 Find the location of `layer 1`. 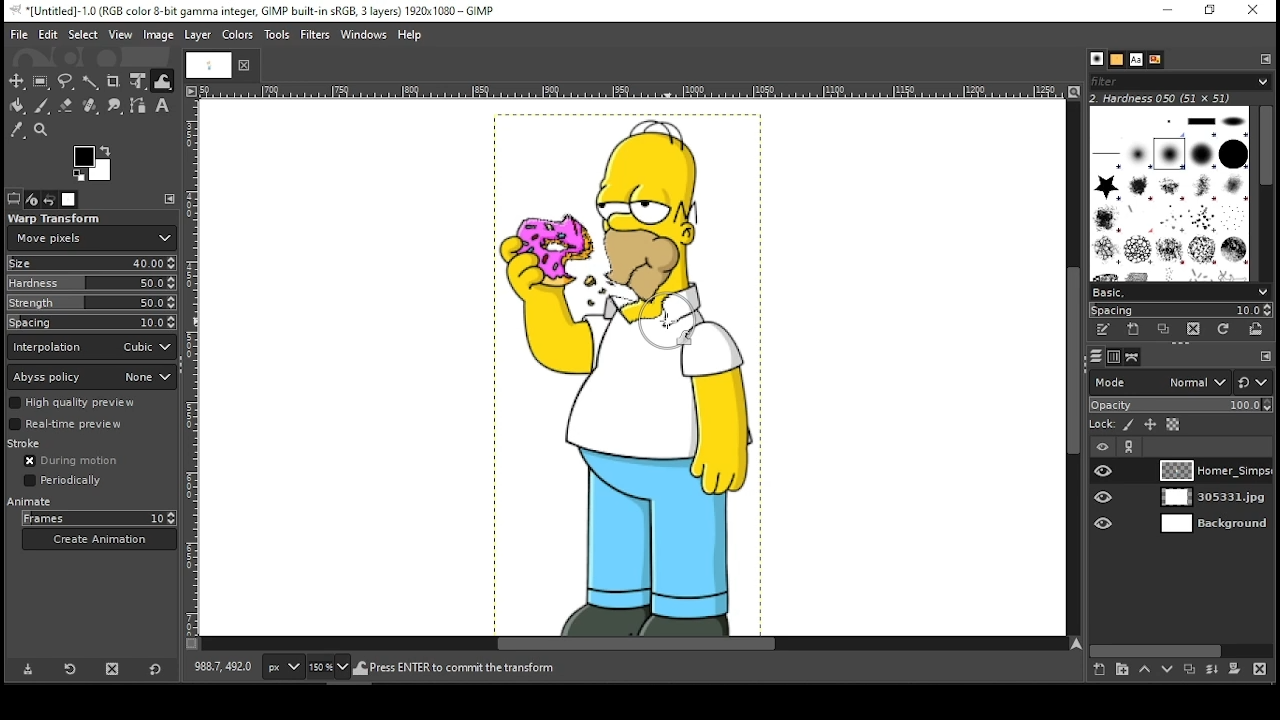

layer 1 is located at coordinates (1214, 471).